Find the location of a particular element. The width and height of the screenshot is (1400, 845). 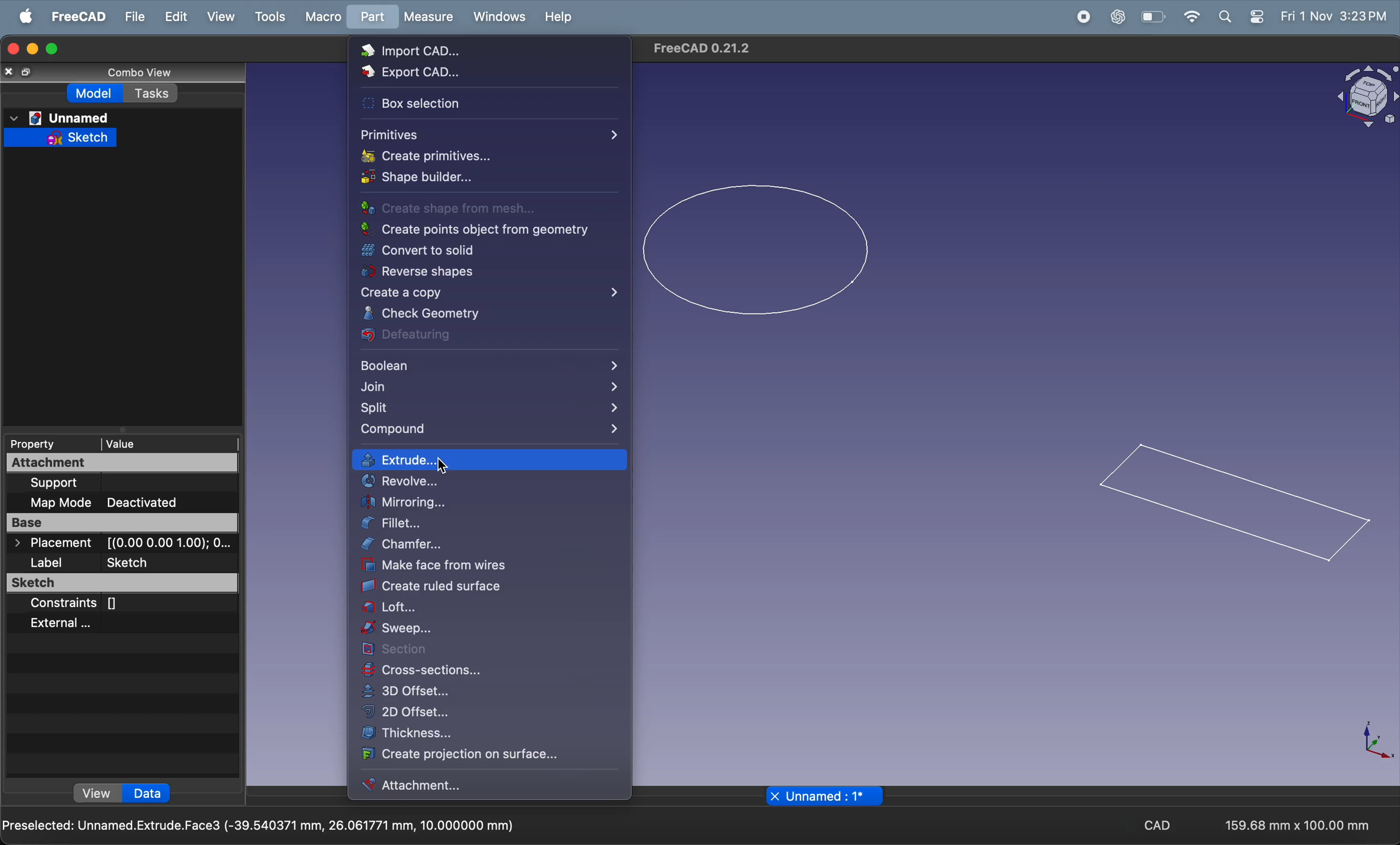

Create shape from mesh... is located at coordinates (447, 209).